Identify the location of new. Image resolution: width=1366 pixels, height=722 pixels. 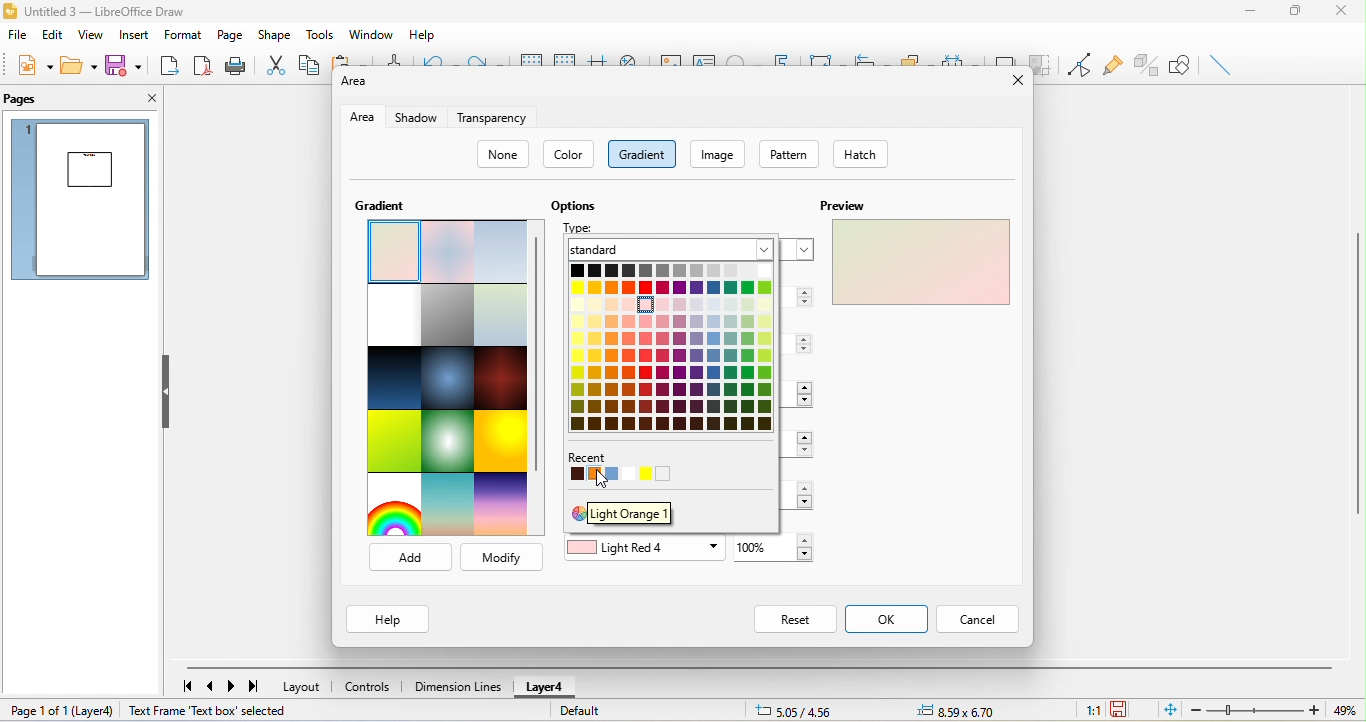
(32, 65).